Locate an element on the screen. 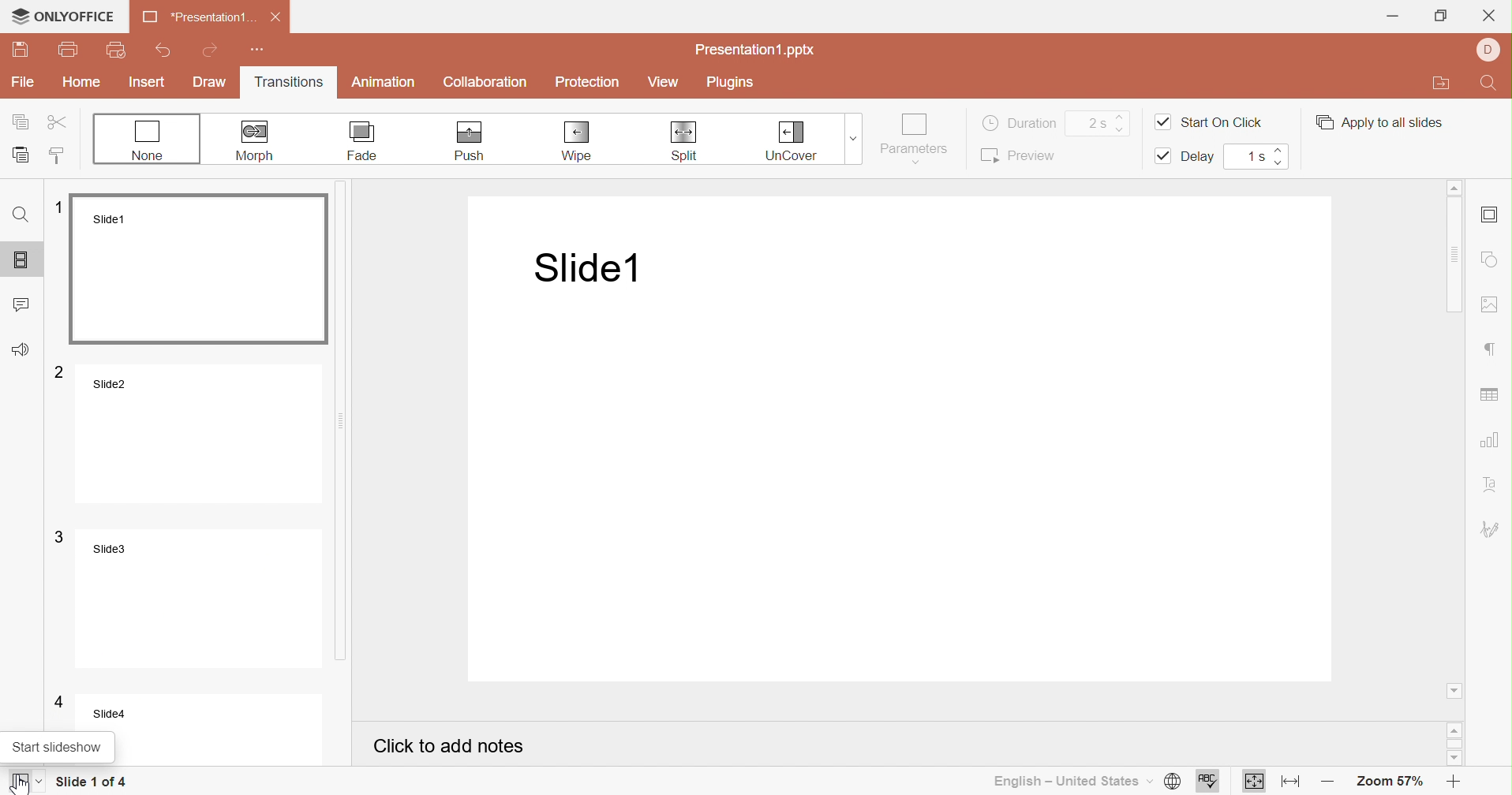 This screenshot has height=795, width=1512. English - United States is located at coordinates (1071, 782).